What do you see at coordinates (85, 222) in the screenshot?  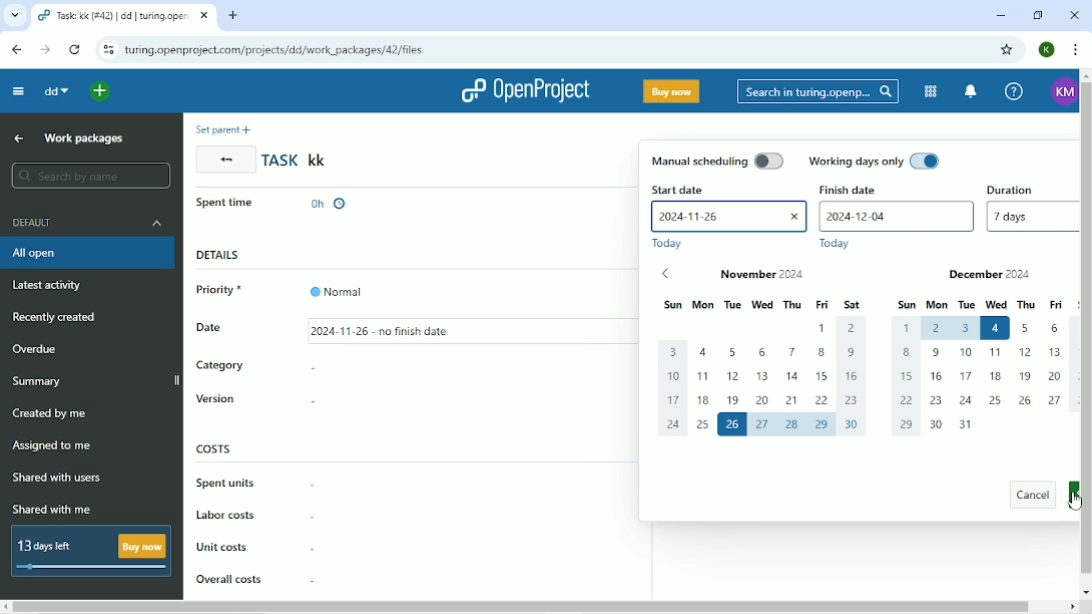 I see `Default` at bounding box center [85, 222].